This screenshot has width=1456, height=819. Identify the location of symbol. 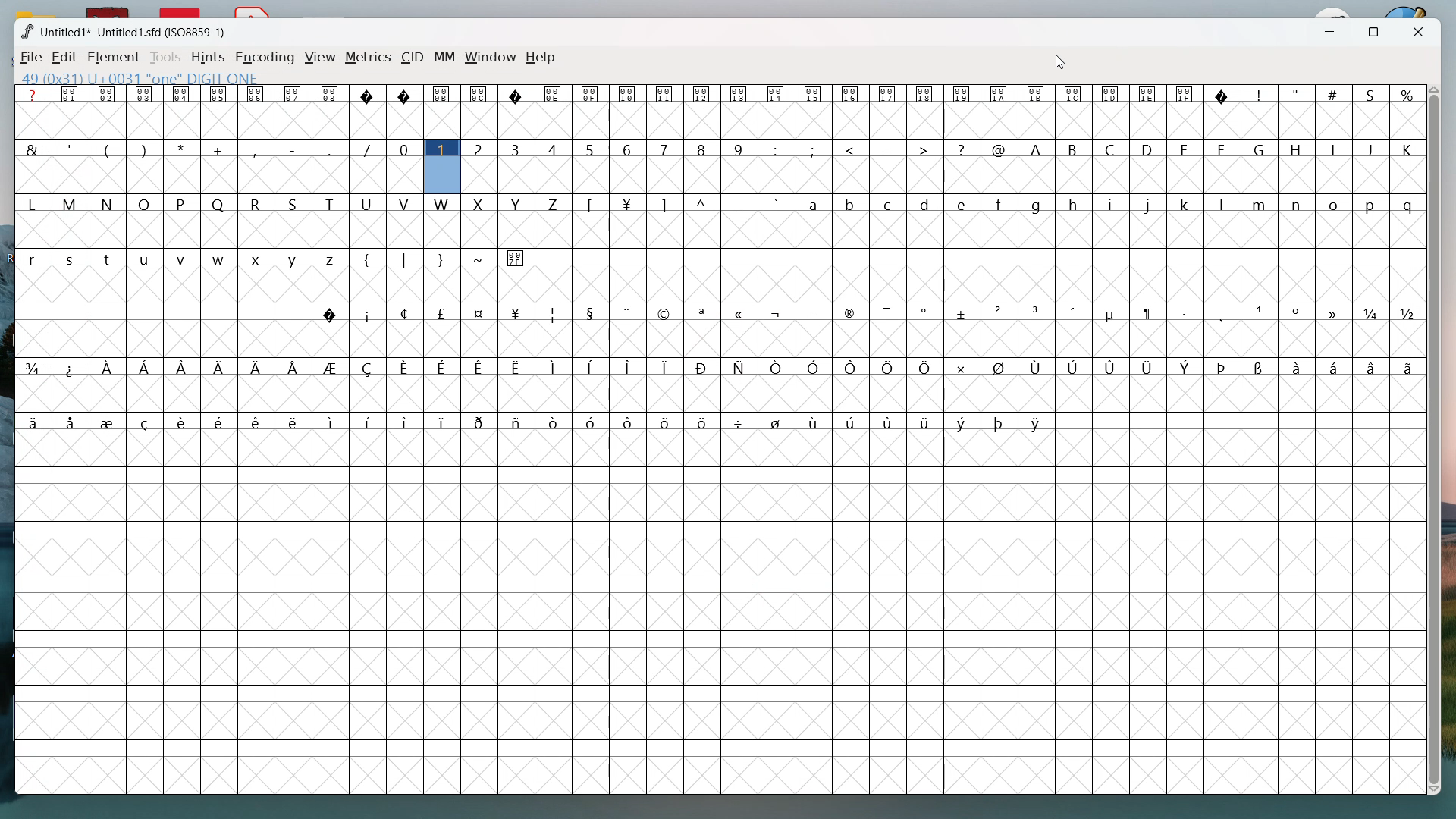
(371, 368).